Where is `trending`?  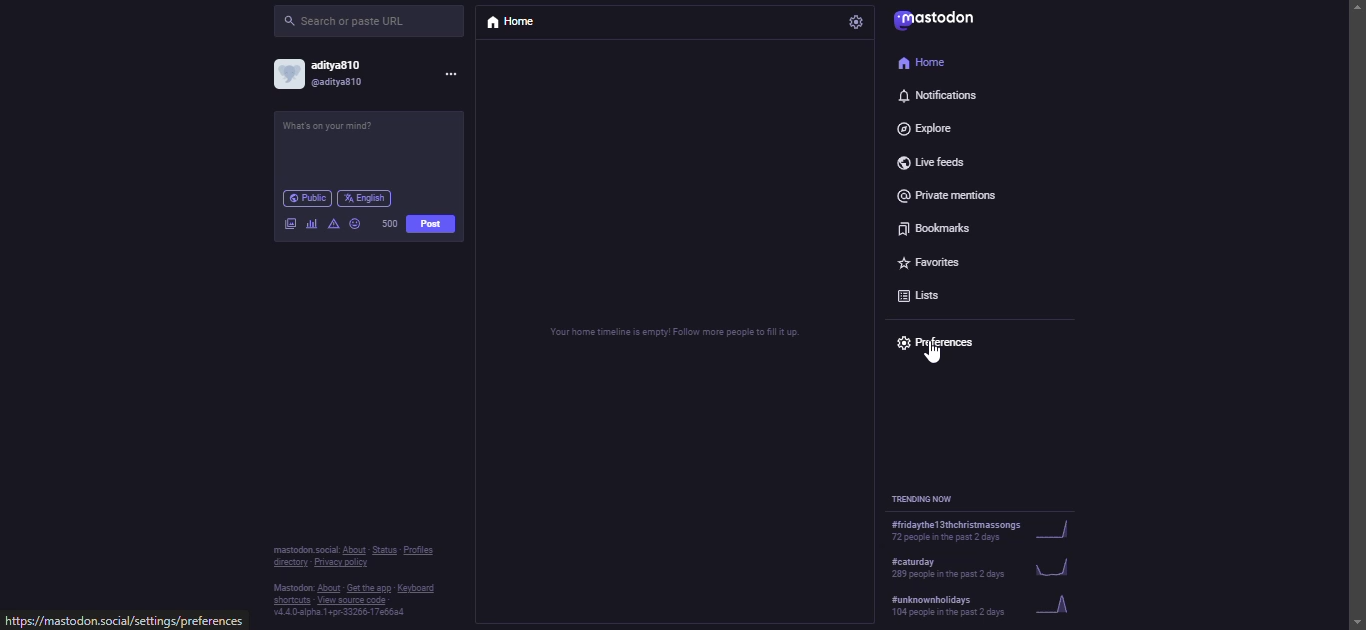 trending is located at coordinates (979, 565).